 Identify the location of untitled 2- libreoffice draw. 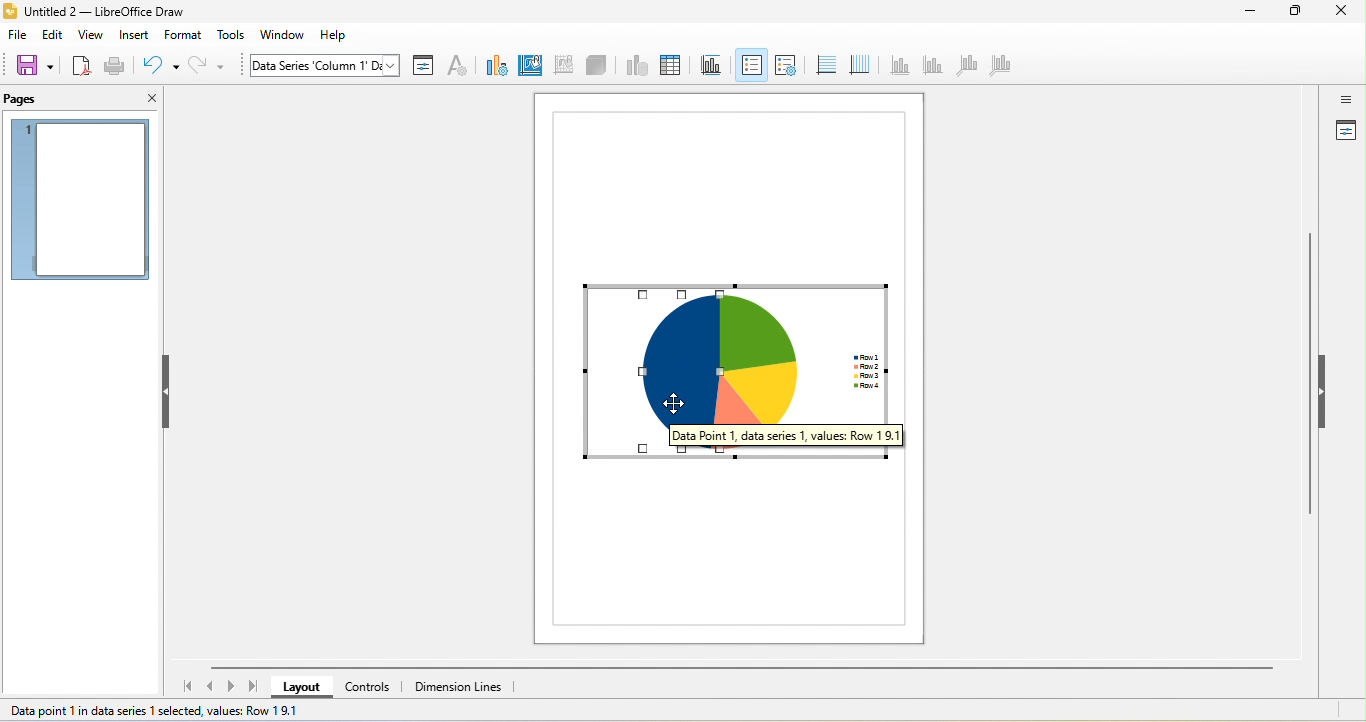
(116, 13).